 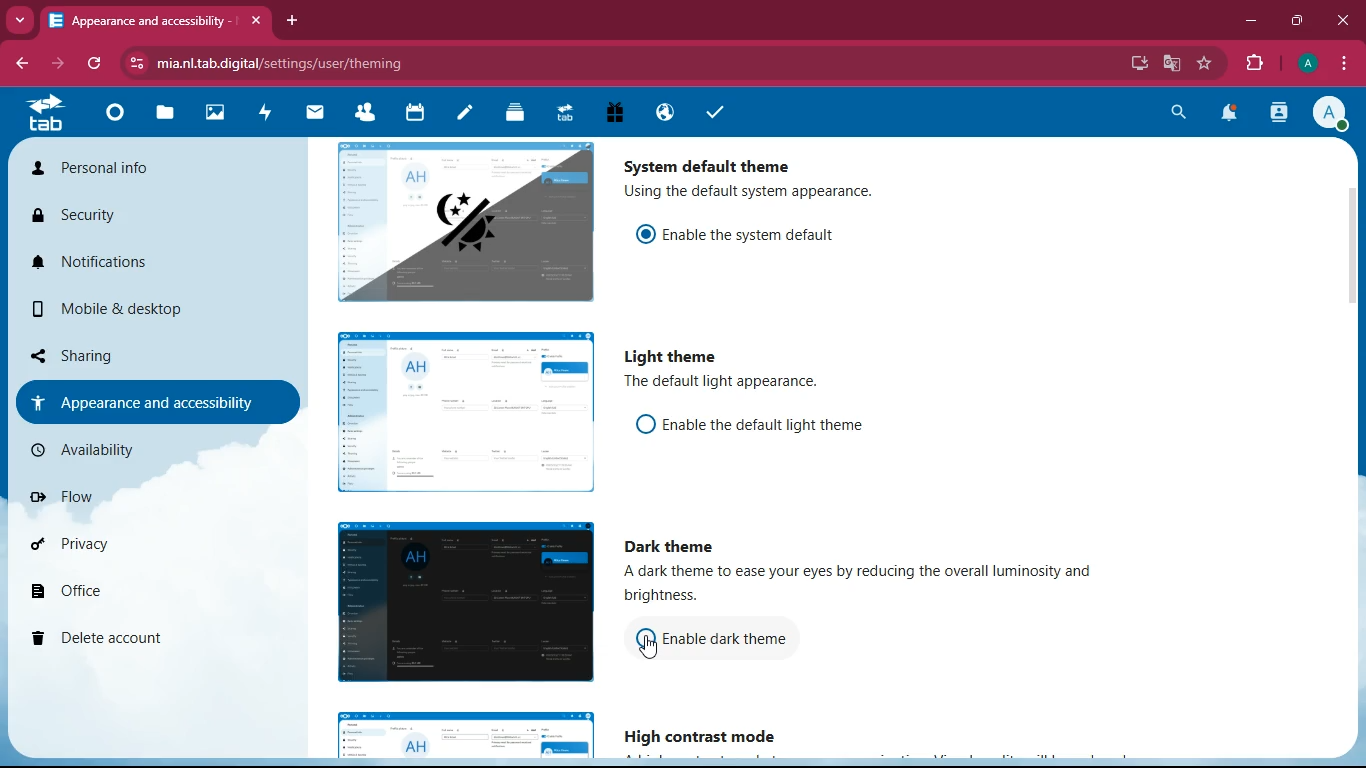 I want to click on office, so click(x=138, y=594).